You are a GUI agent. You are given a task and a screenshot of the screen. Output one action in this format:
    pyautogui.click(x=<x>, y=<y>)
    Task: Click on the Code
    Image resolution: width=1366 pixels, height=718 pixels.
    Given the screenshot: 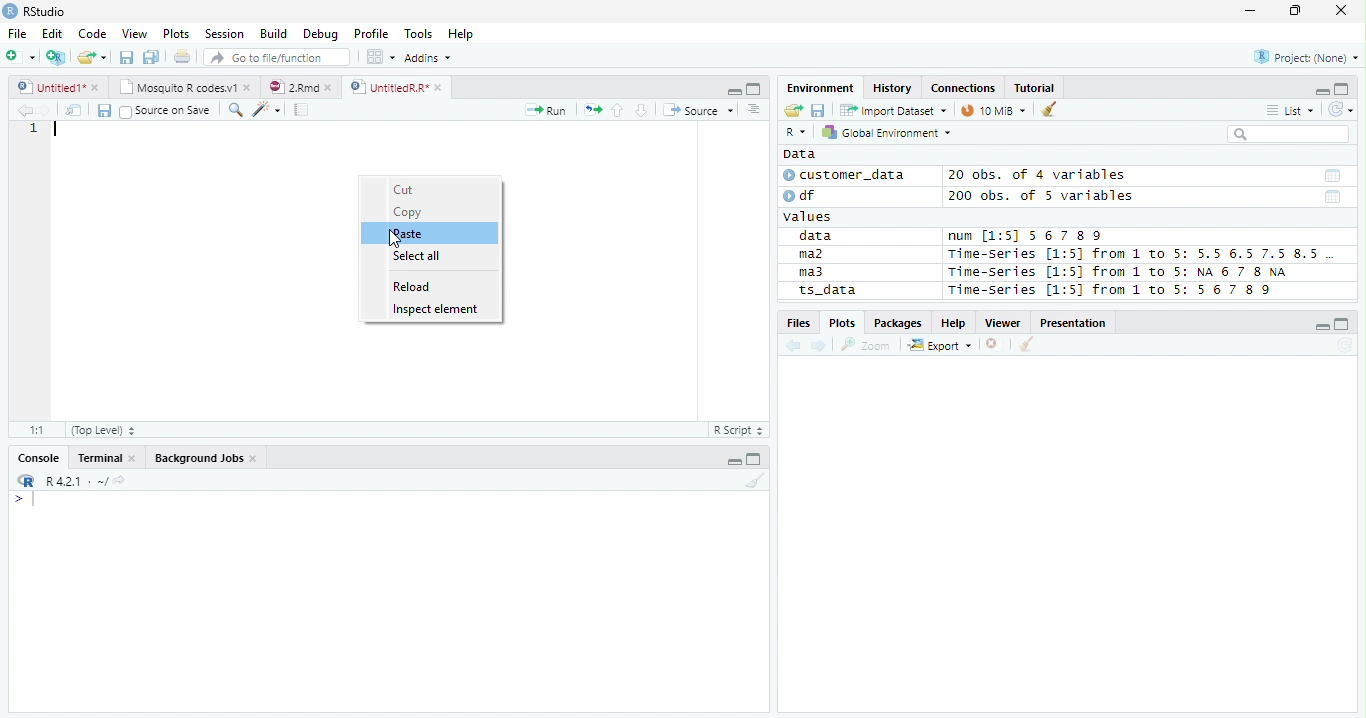 What is the action you would take?
    pyautogui.click(x=94, y=34)
    